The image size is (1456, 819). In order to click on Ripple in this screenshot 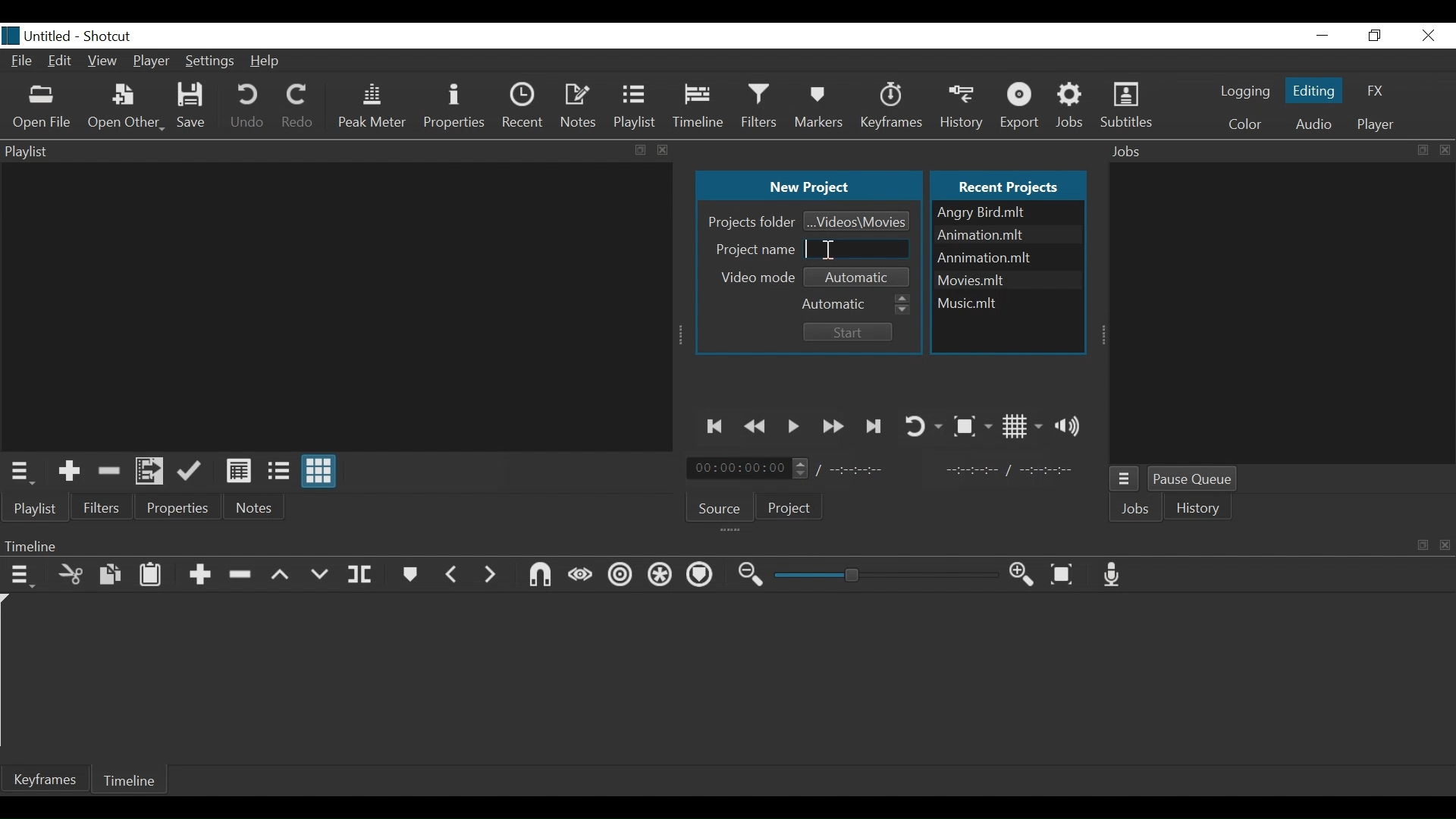, I will do `click(620, 578)`.